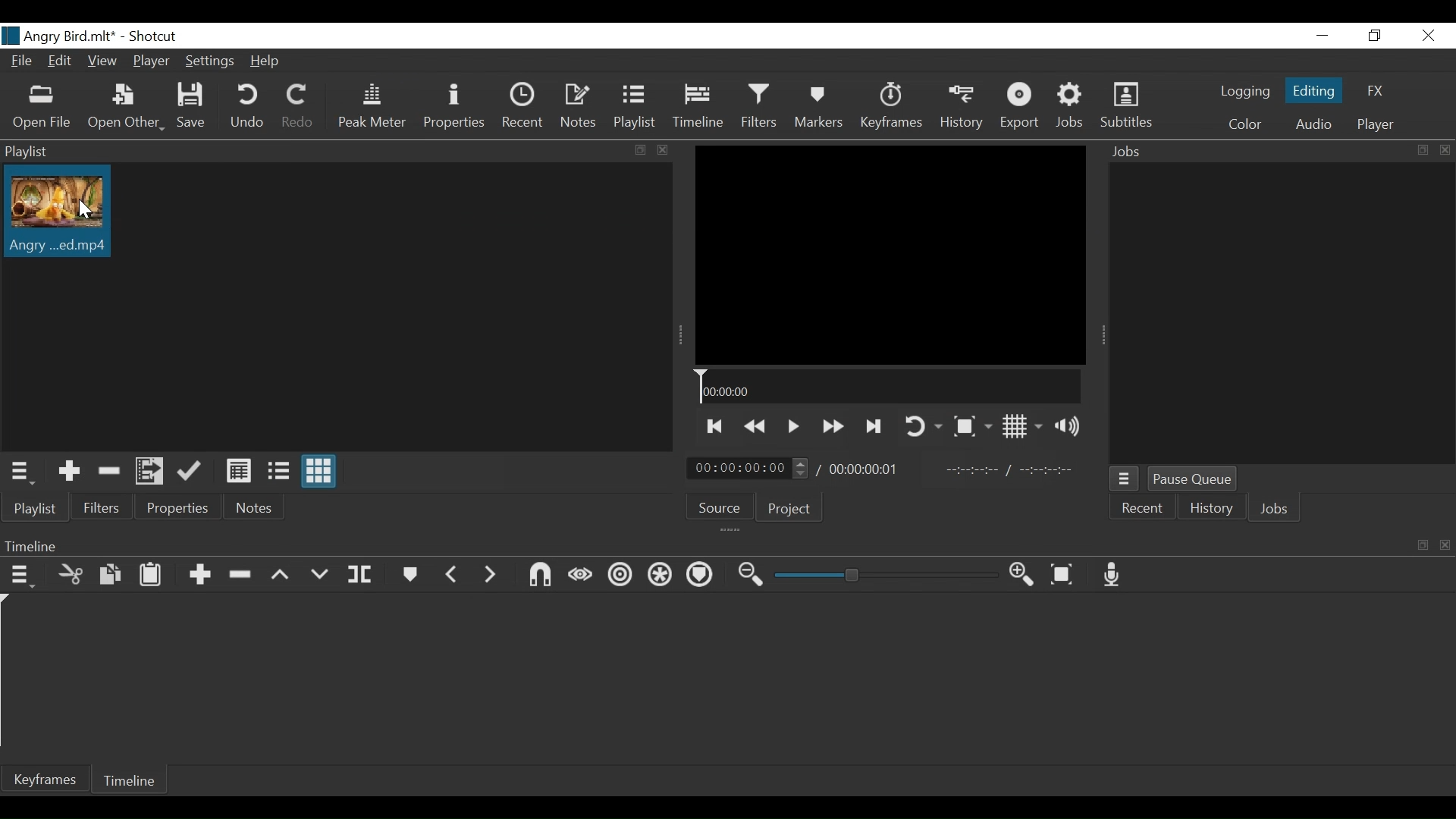 This screenshot has height=819, width=1456. Describe the element at coordinates (300, 106) in the screenshot. I see `Redo` at that location.